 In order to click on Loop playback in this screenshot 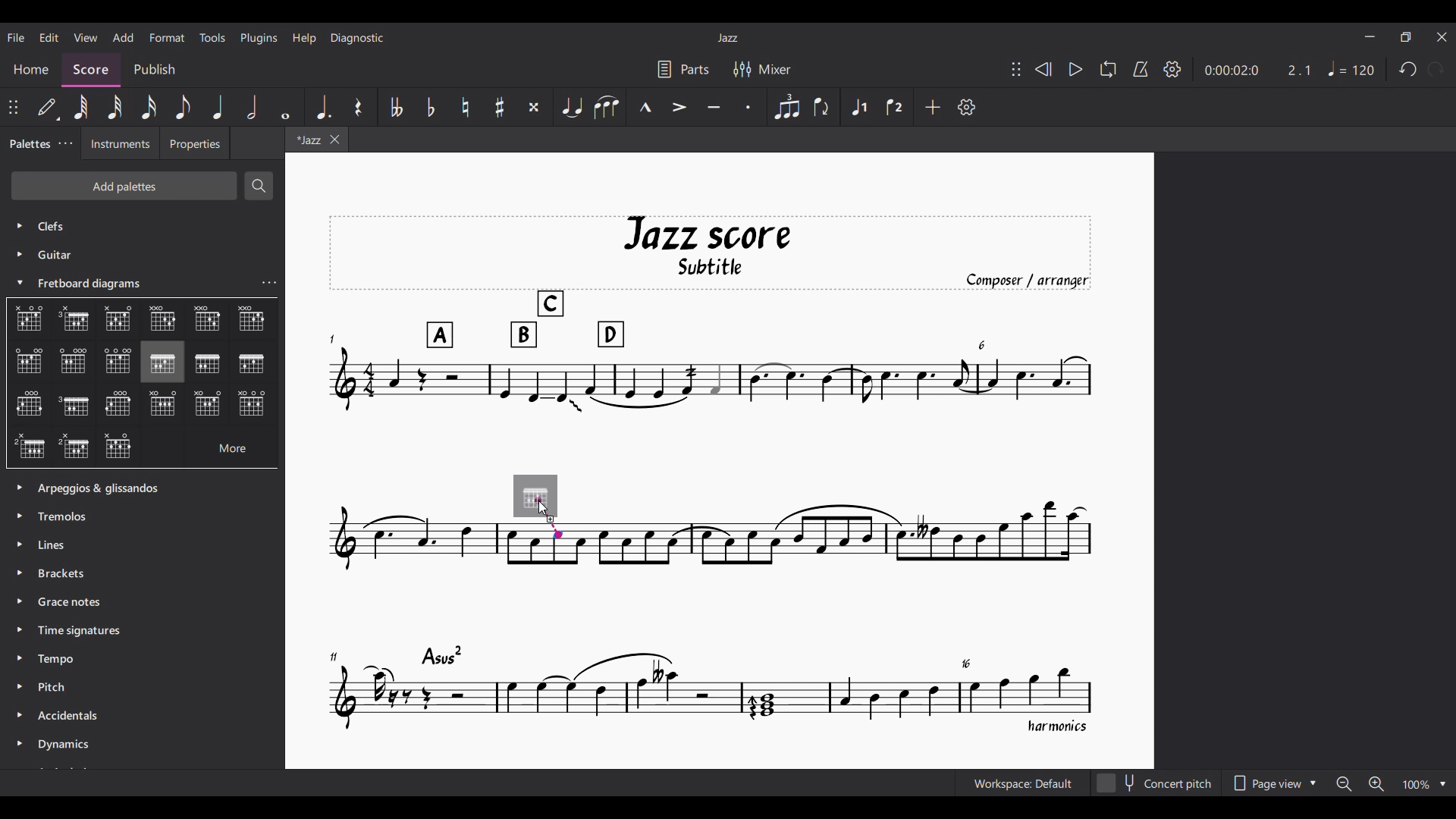, I will do `click(1108, 69)`.